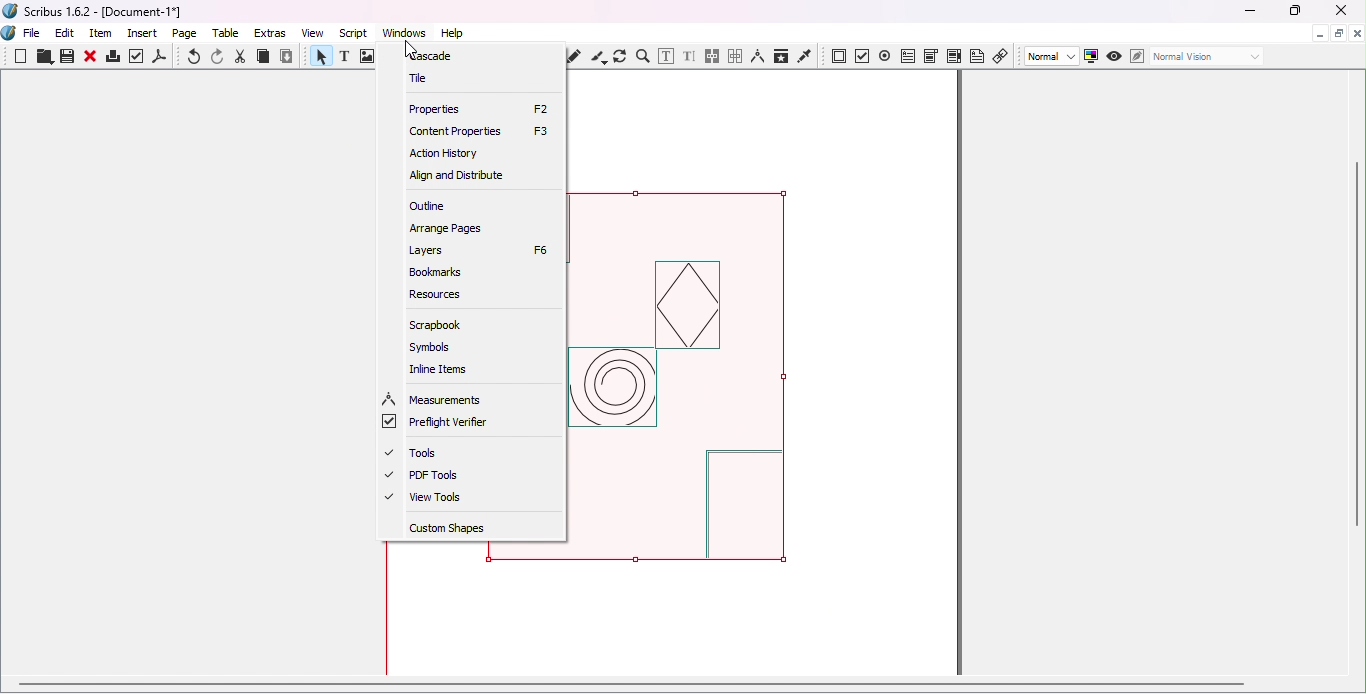 This screenshot has height=694, width=1366. Describe the element at coordinates (348, 58) in the screenshot. I see `Text frame` at that location.